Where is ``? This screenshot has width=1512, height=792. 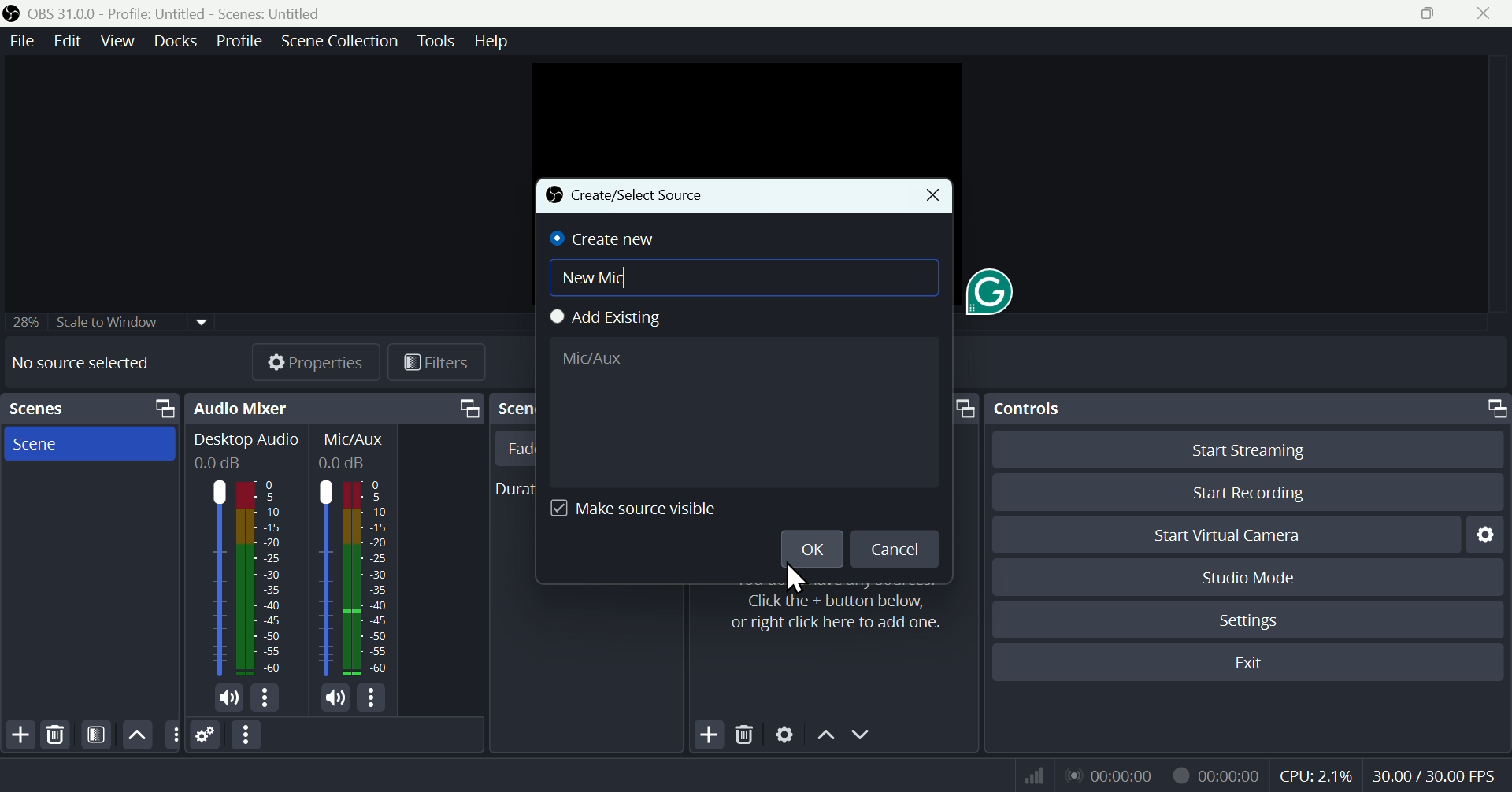  is located at coordinates (1260, 449).